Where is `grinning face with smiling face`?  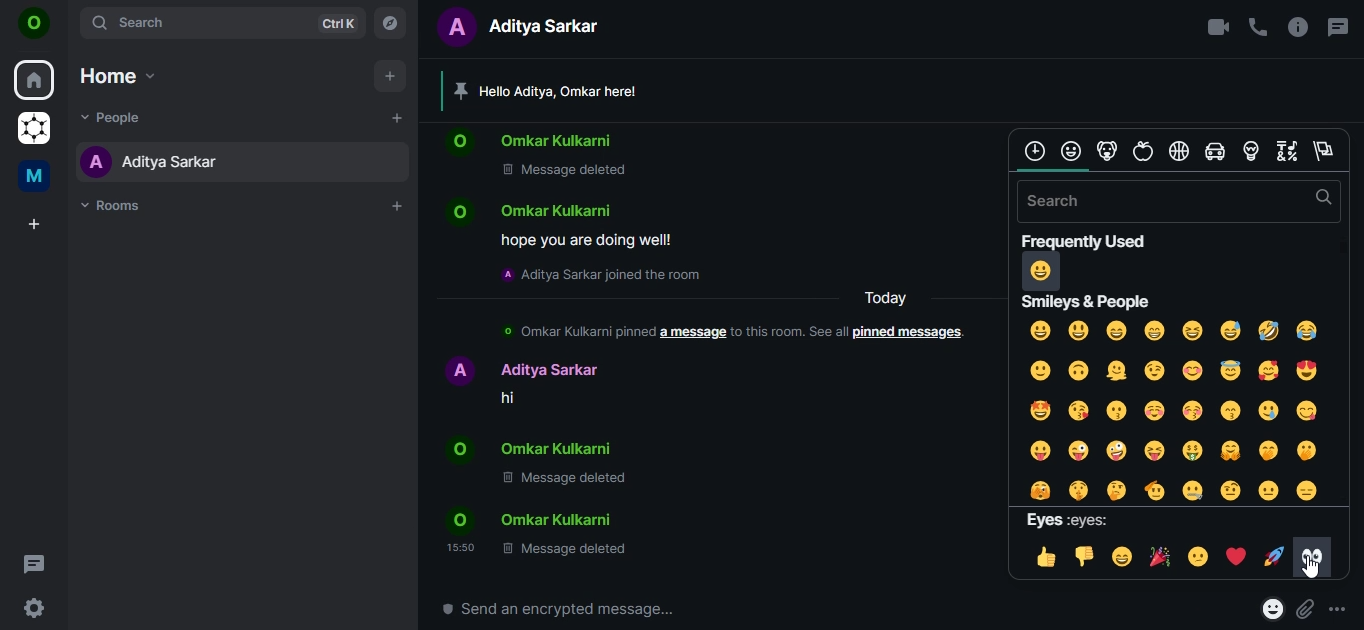 grinning face with smiling face is located at coordinates (1122, 557).